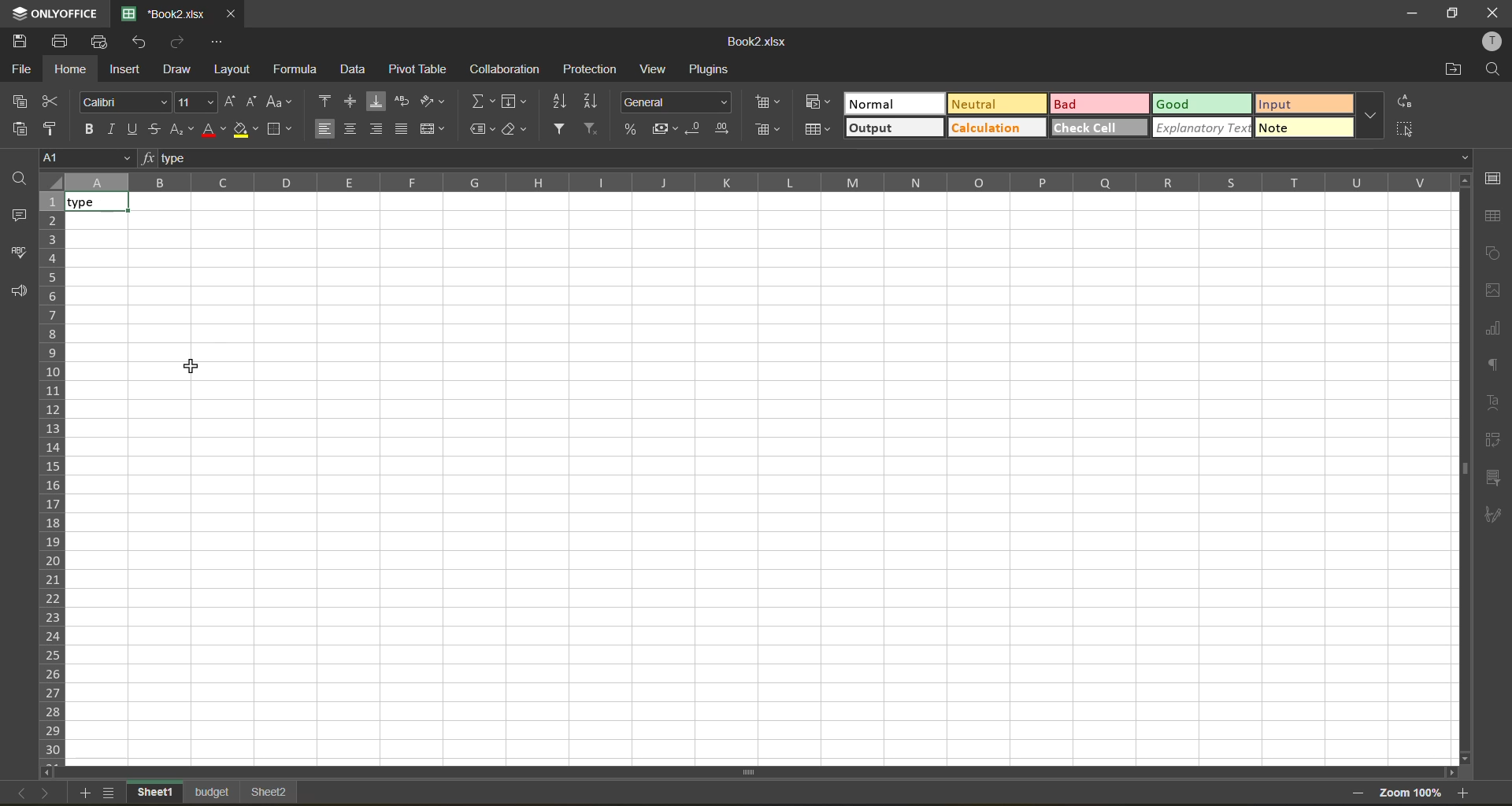 The width and height of the screenshot is (1512, 806). Describe the element at coordinates (180, 42) in the screenshot. I see `redo` at that location.